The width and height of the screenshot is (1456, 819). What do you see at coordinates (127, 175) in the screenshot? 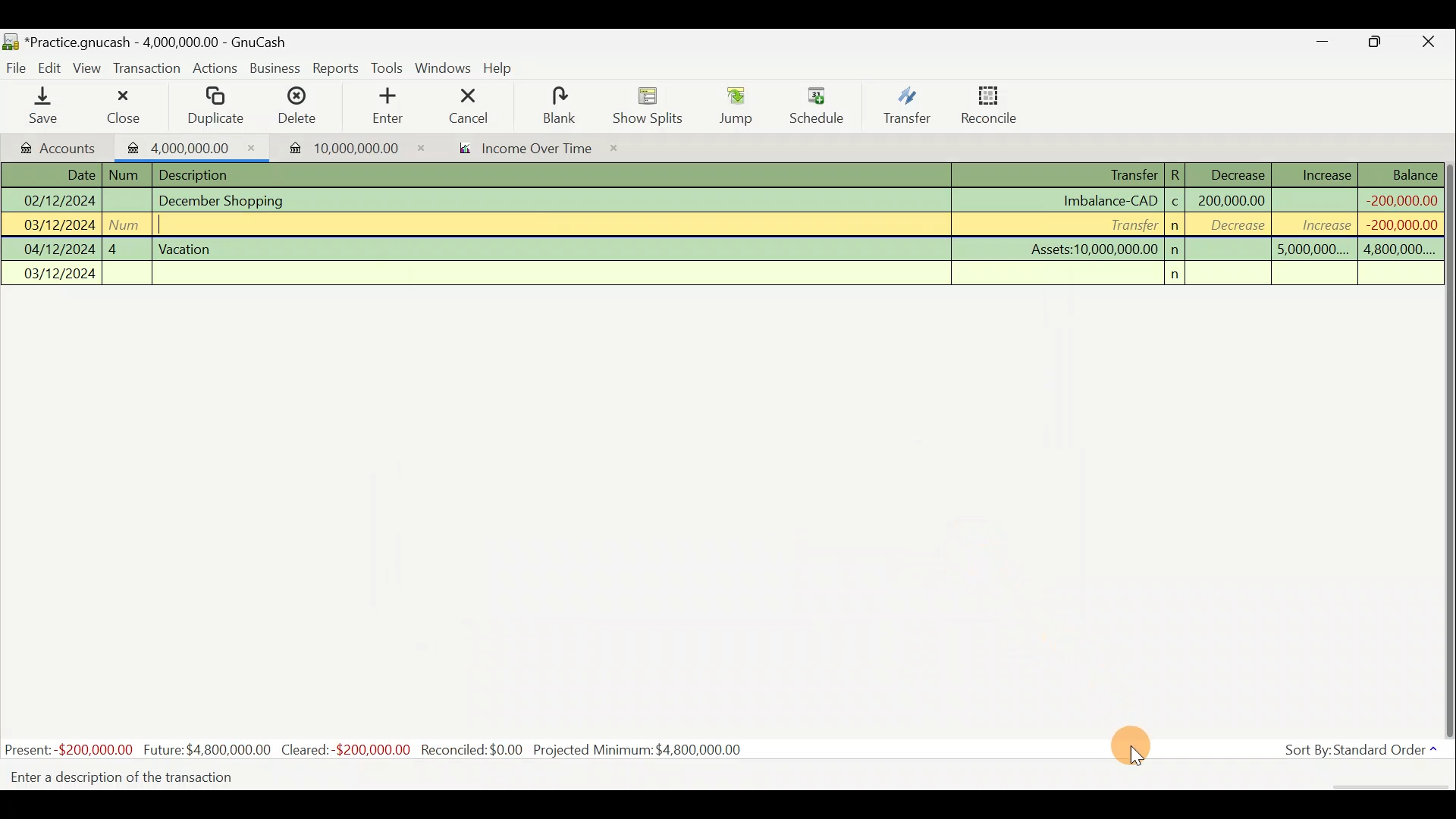
I see `num` at bounding box center [127, 175].